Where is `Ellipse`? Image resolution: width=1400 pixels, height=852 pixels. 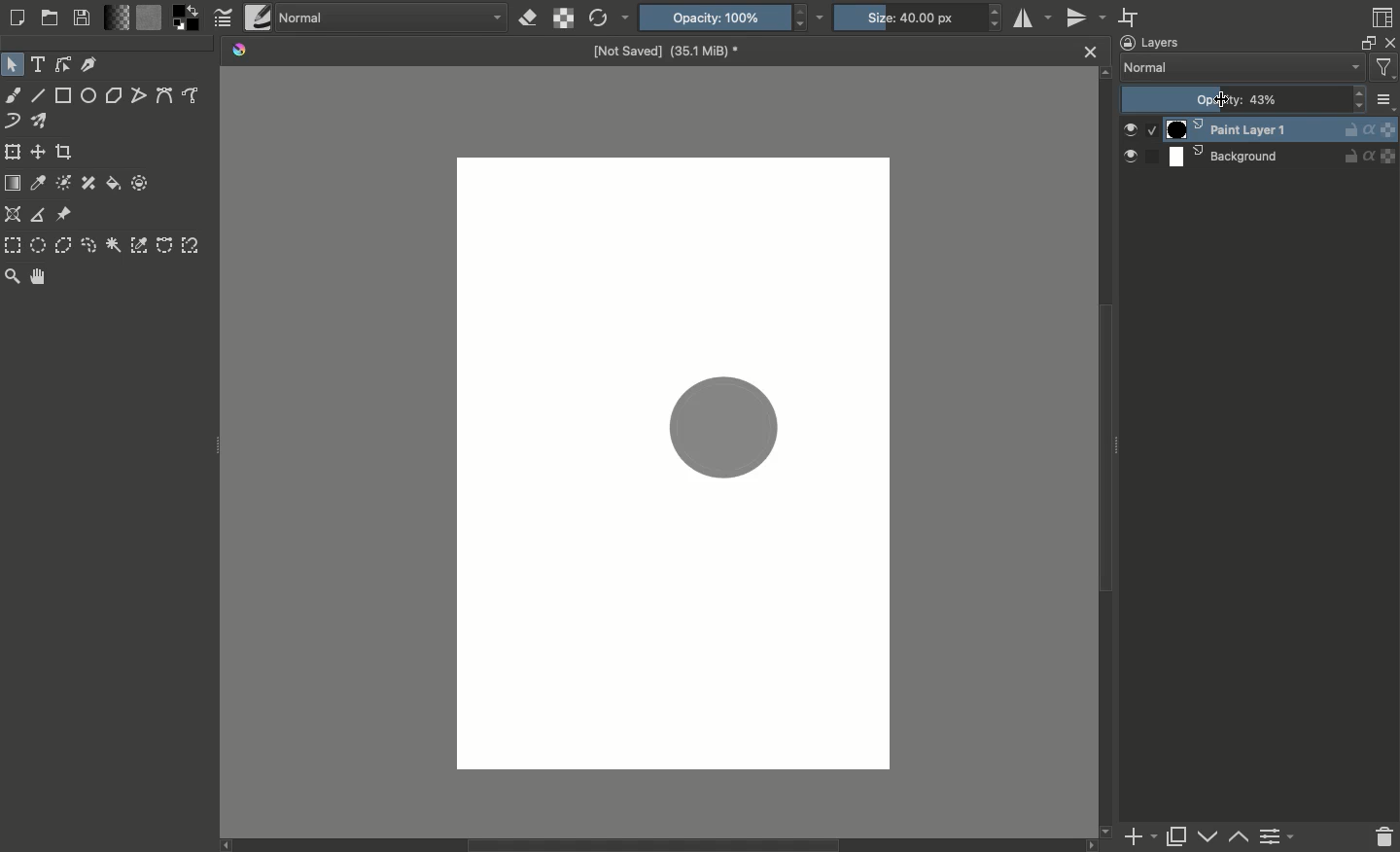
Ellipse is located at coordinates (89, 95).